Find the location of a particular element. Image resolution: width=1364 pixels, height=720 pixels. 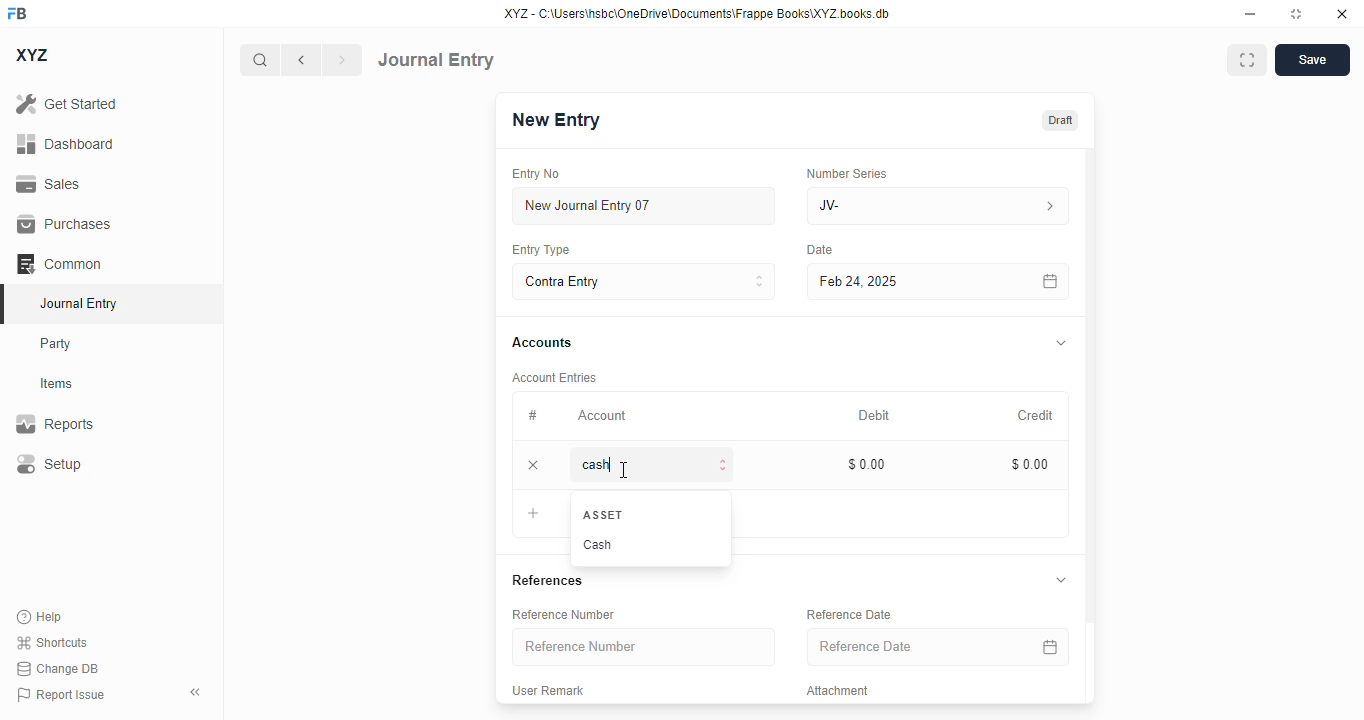

add button is located at coordinates (533, 513).